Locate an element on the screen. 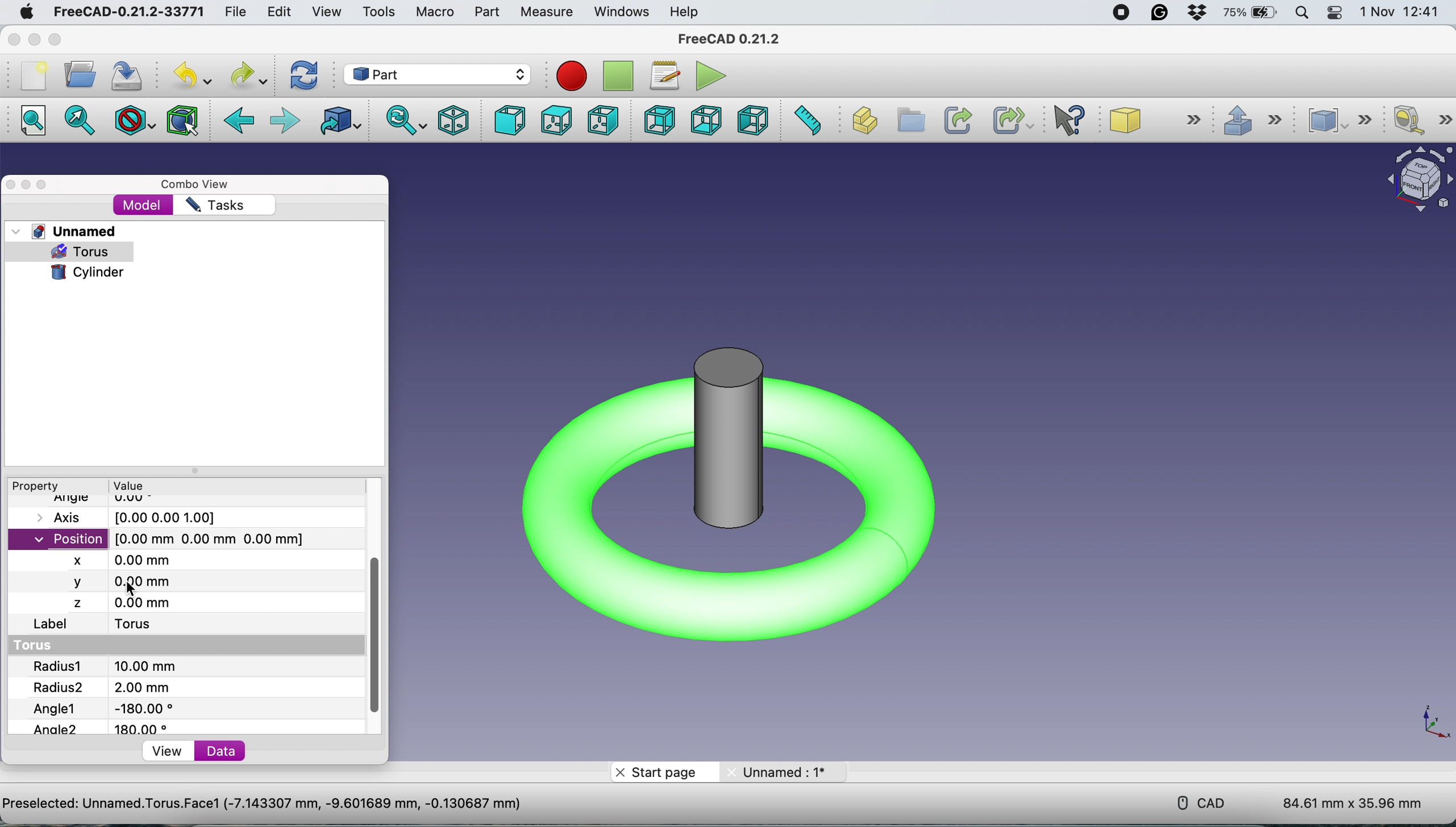 This screenshot has height=827, width=1456. help is located at coordinates (682, 12).